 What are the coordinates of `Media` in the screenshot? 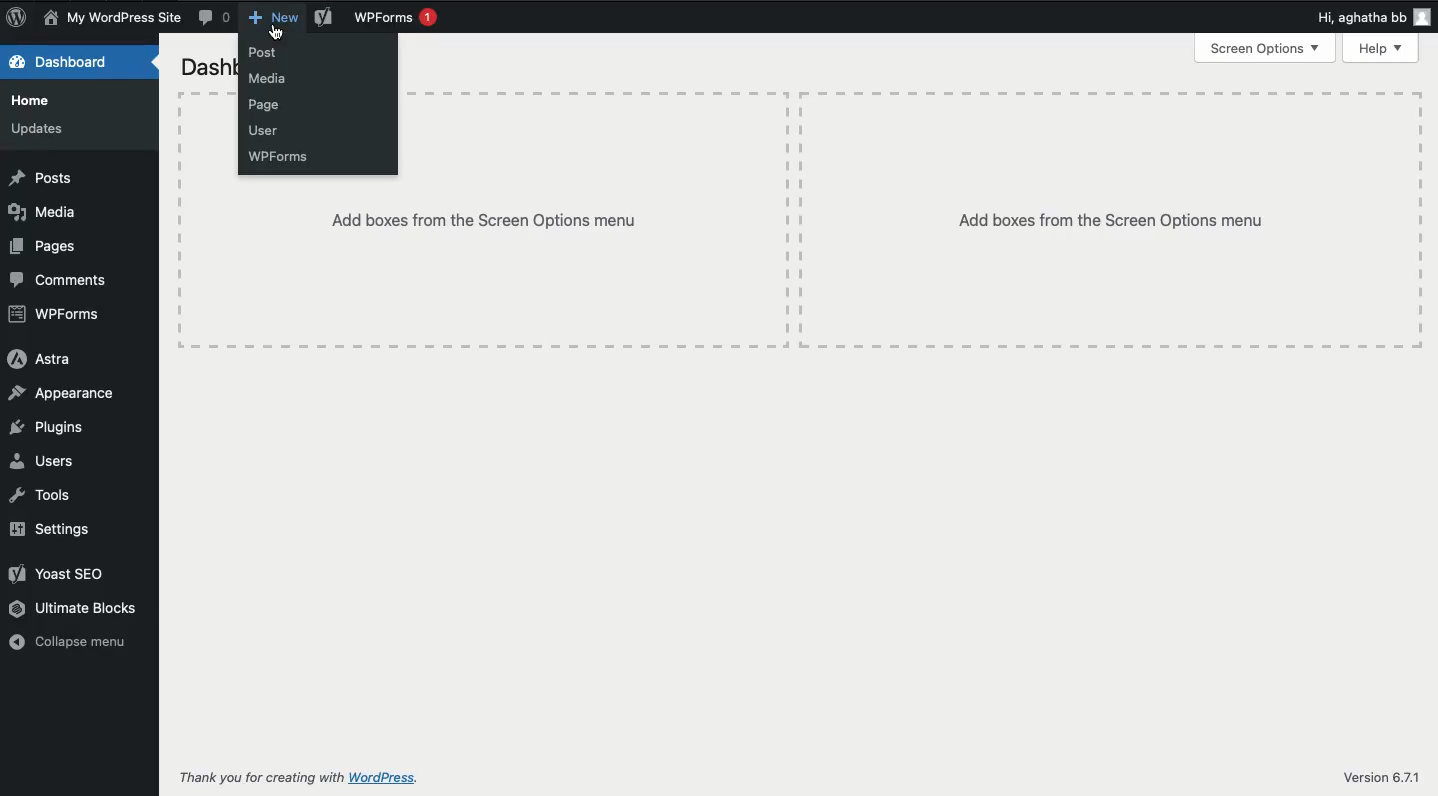 It's located at (46, 212).